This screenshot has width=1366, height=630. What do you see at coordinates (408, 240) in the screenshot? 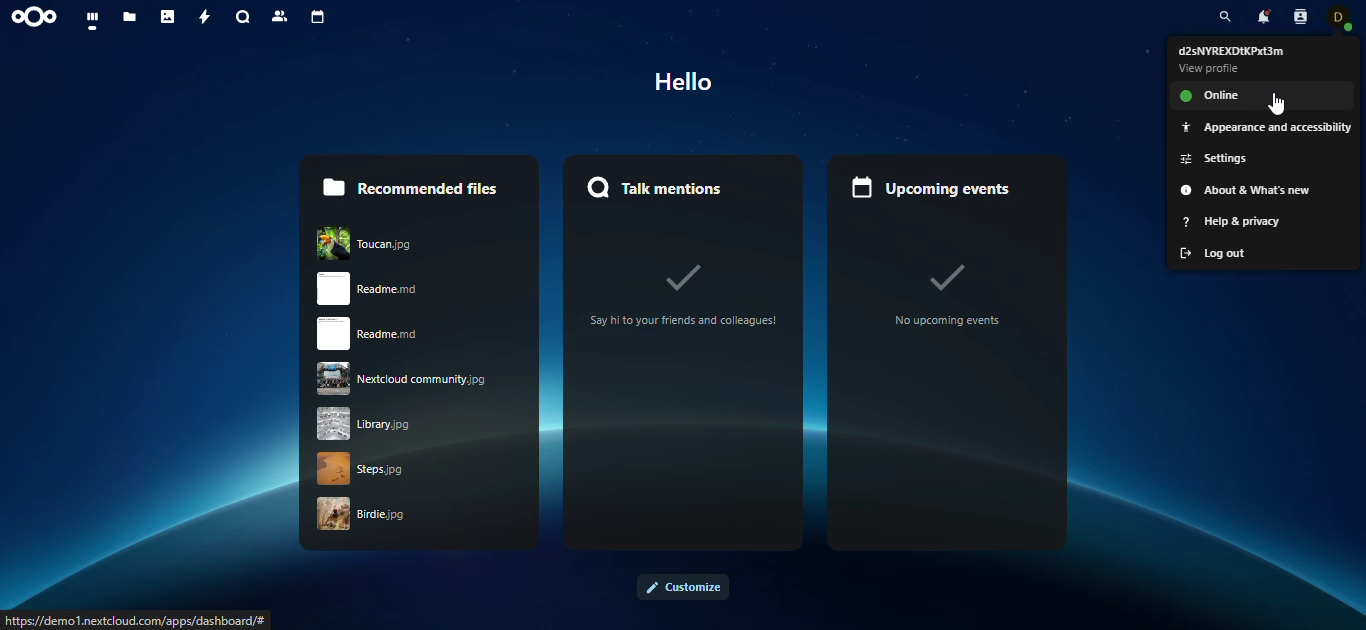
I see `Toucan.JPG` at bounding box center [408, 240].